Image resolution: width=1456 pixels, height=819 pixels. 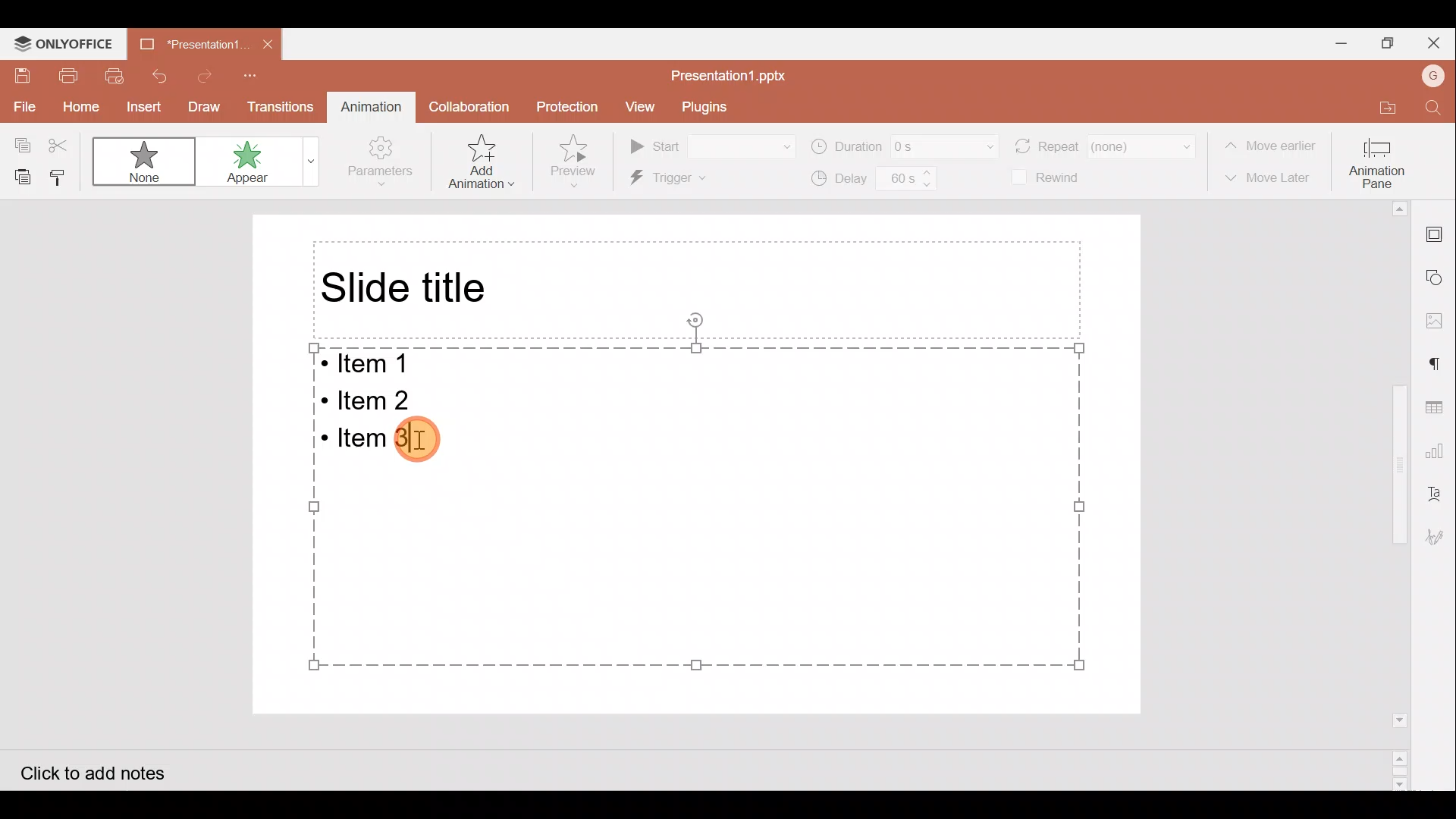 I want to click on Text Art settings, so click(x=1441, y=490).